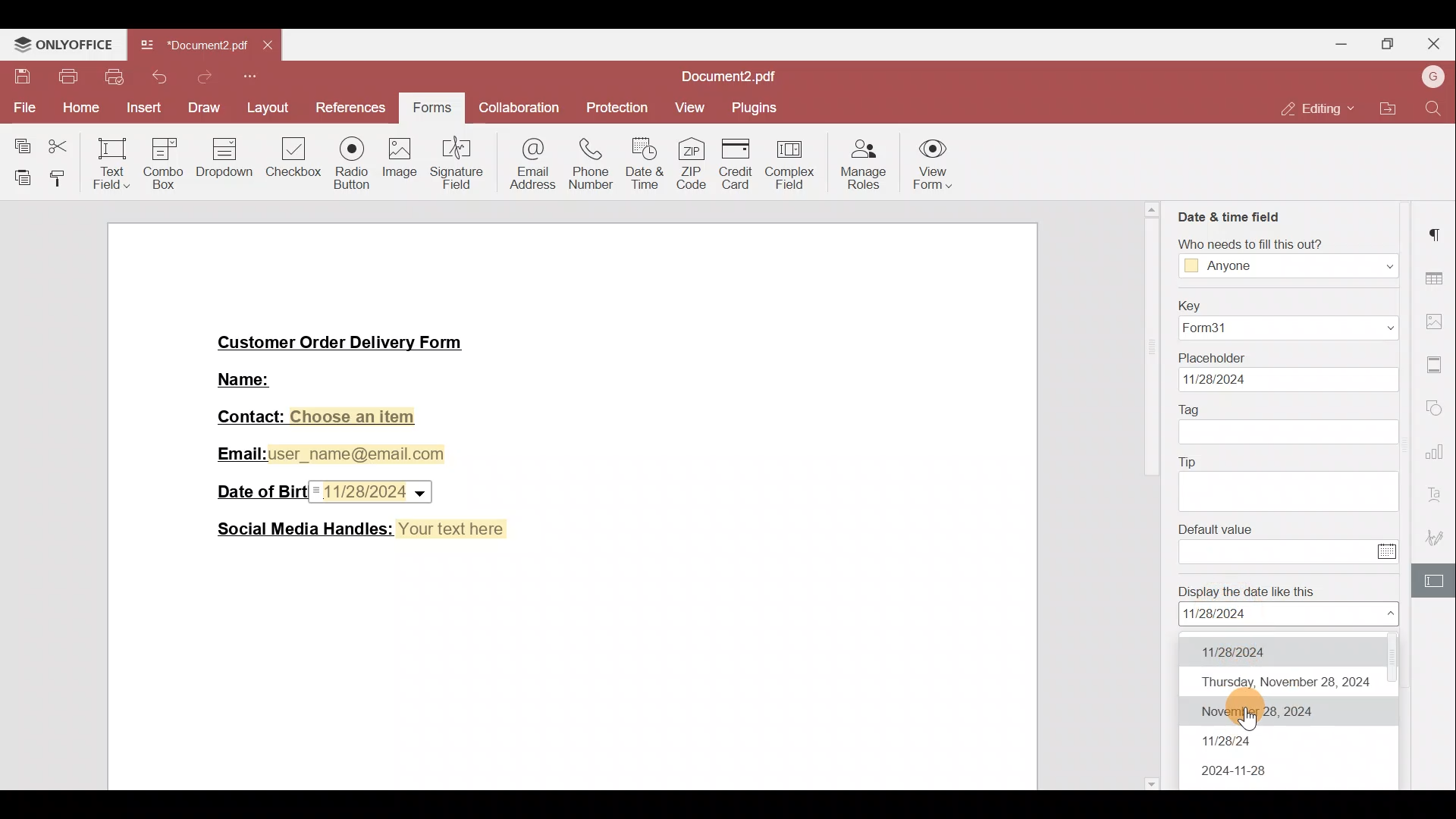 This screenshot has height=819, width=1456. Describe the element at coordinates (318, 418) in the screenshot. I see `Contact: Choose an item` at that location.